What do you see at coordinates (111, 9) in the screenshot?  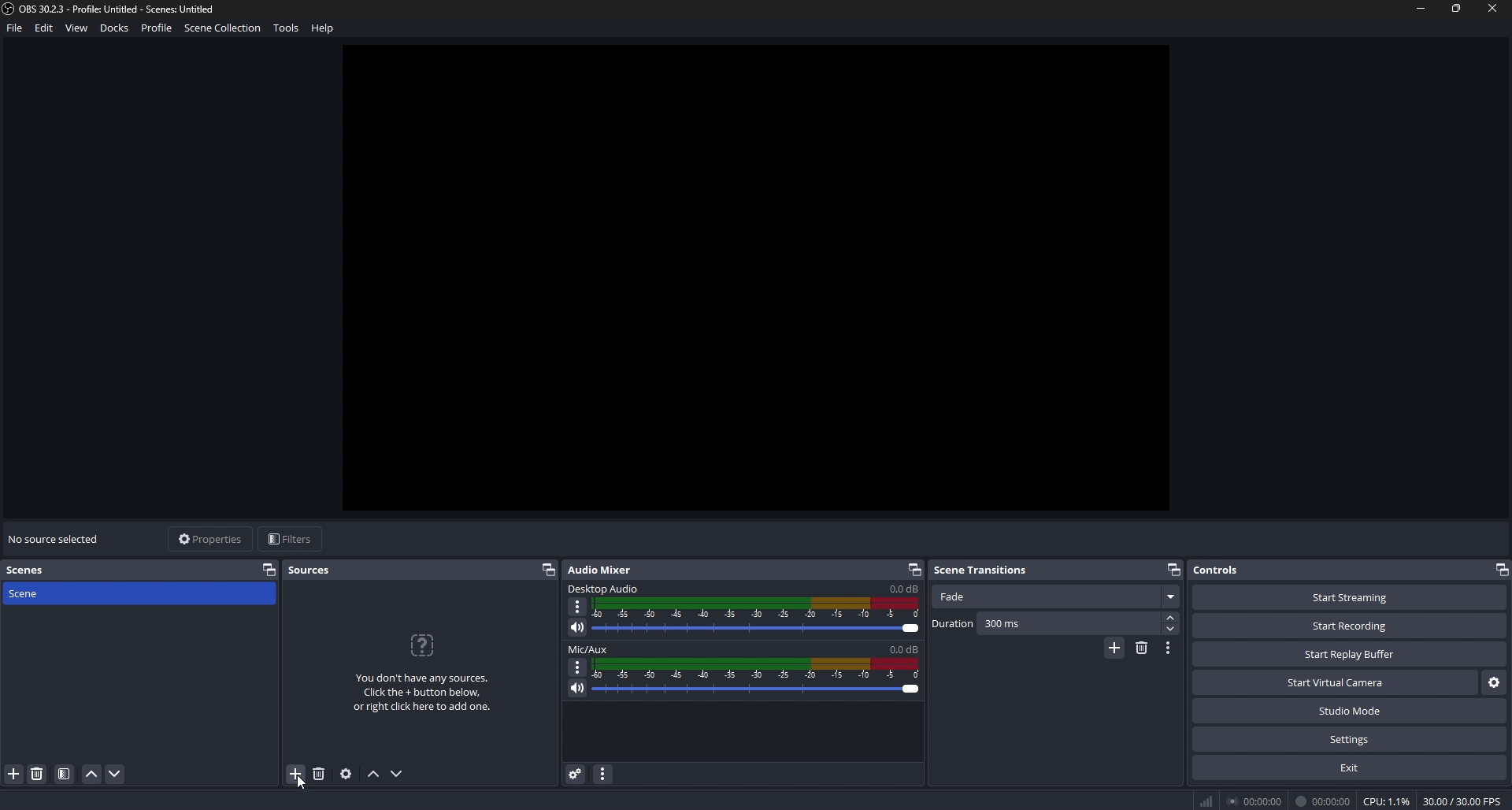 I see `file name` at bounding box center [111, 9].